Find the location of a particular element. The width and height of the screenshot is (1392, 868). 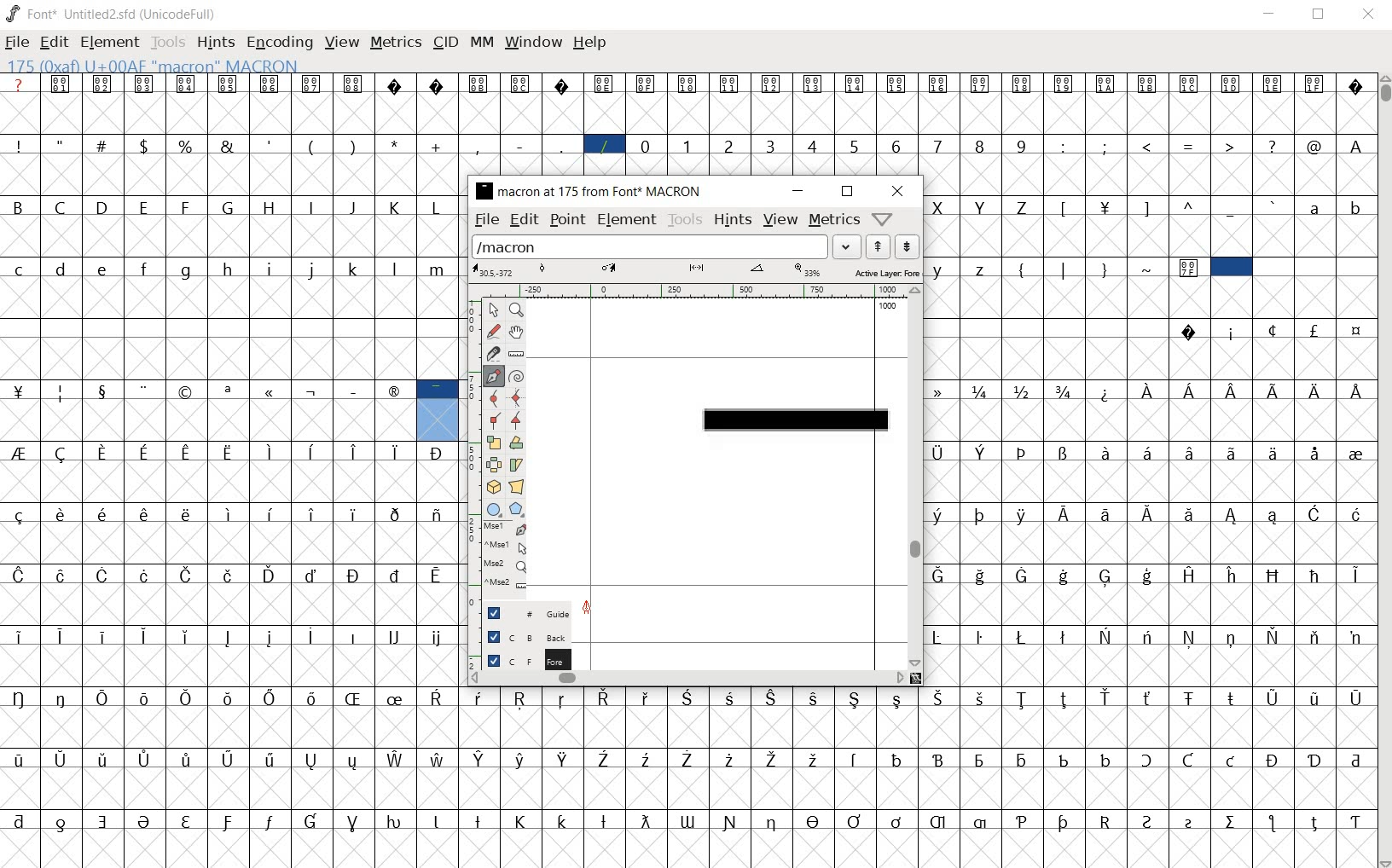

Symbol is located at coordinates (271, 452).